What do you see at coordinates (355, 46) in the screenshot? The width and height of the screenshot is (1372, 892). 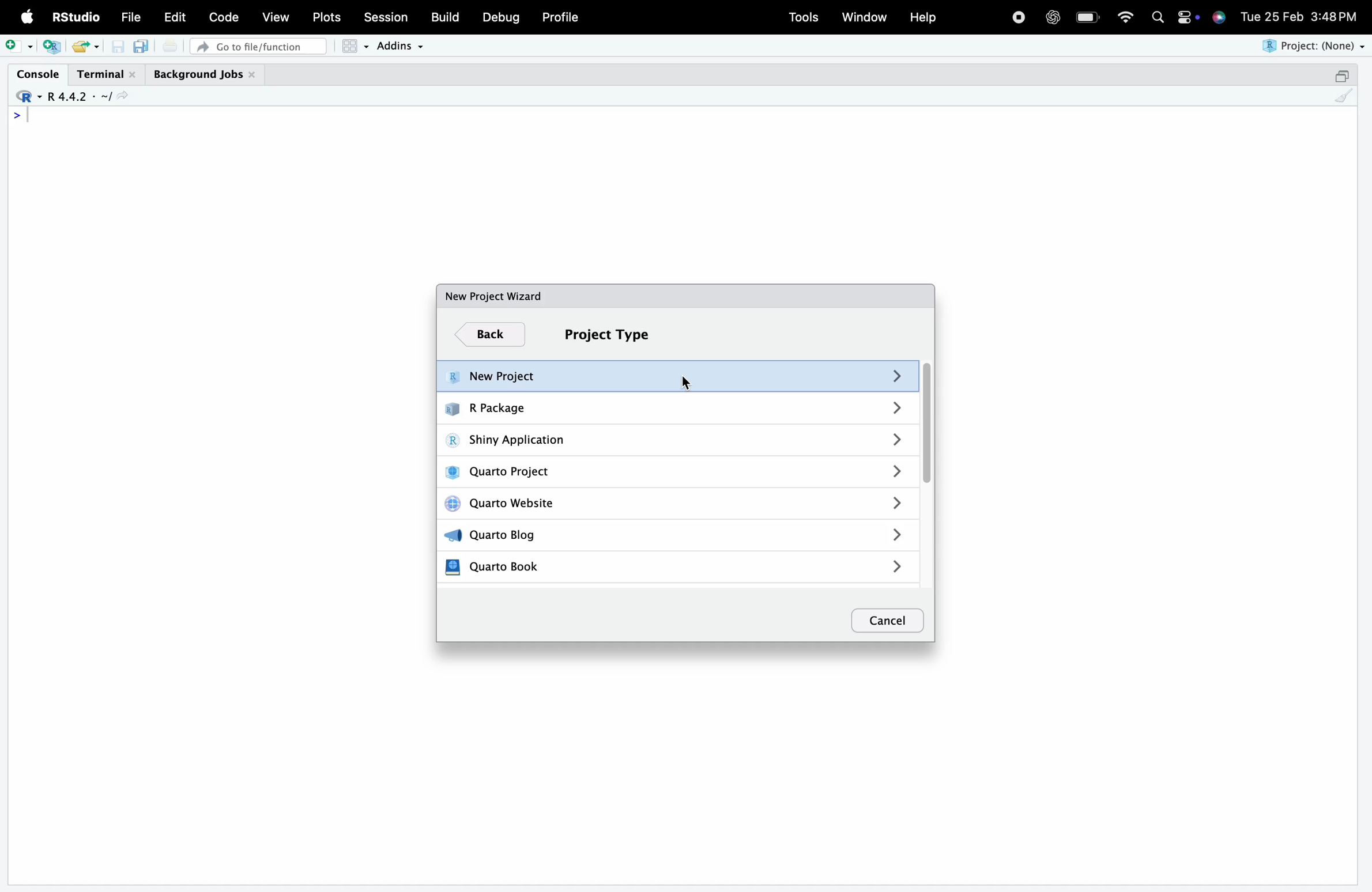 I see `Workspace panes` at bounding box center [355, 46].